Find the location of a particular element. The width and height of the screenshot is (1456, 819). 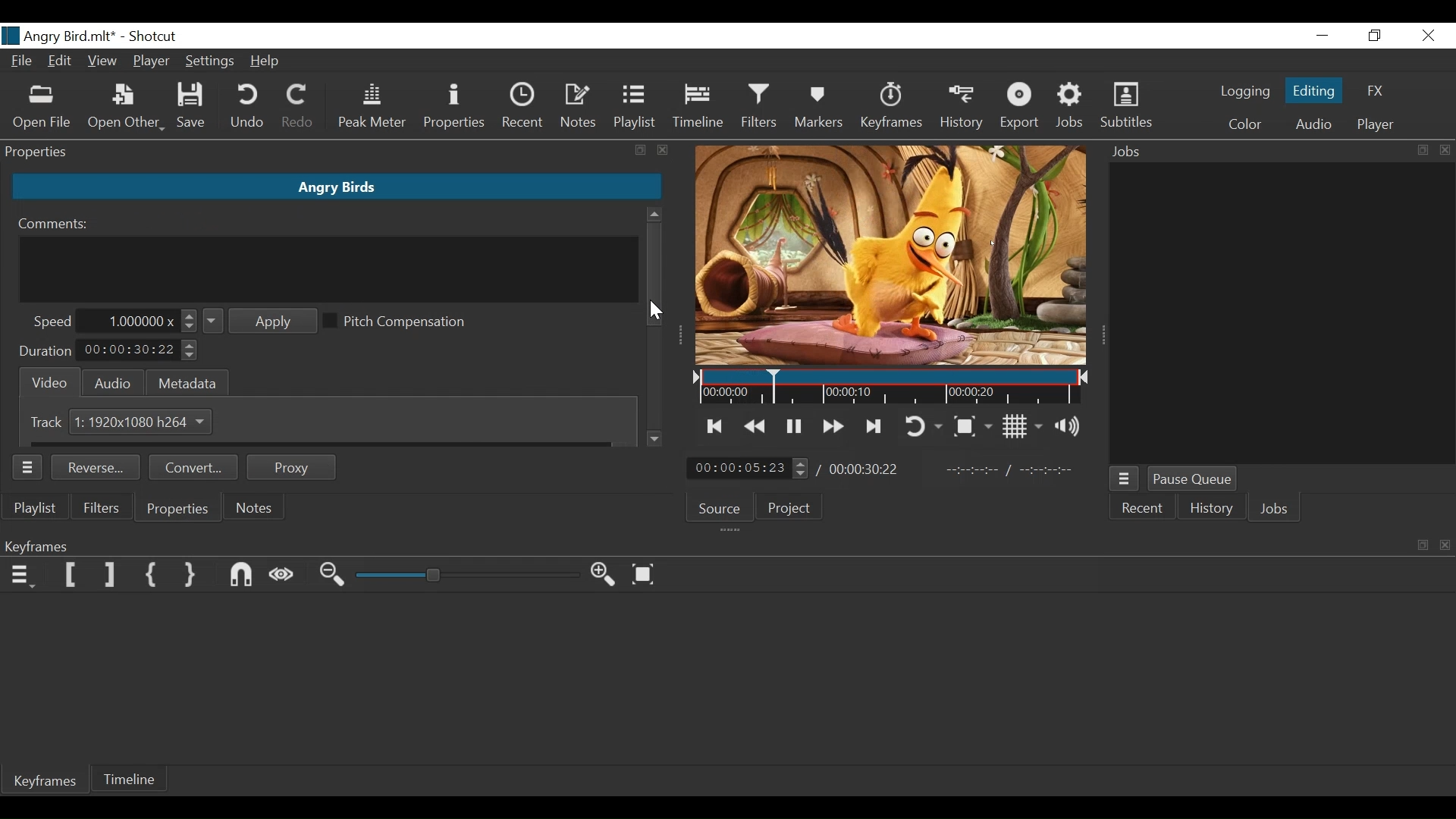

Jobs is located at coordinates (1070, 108).